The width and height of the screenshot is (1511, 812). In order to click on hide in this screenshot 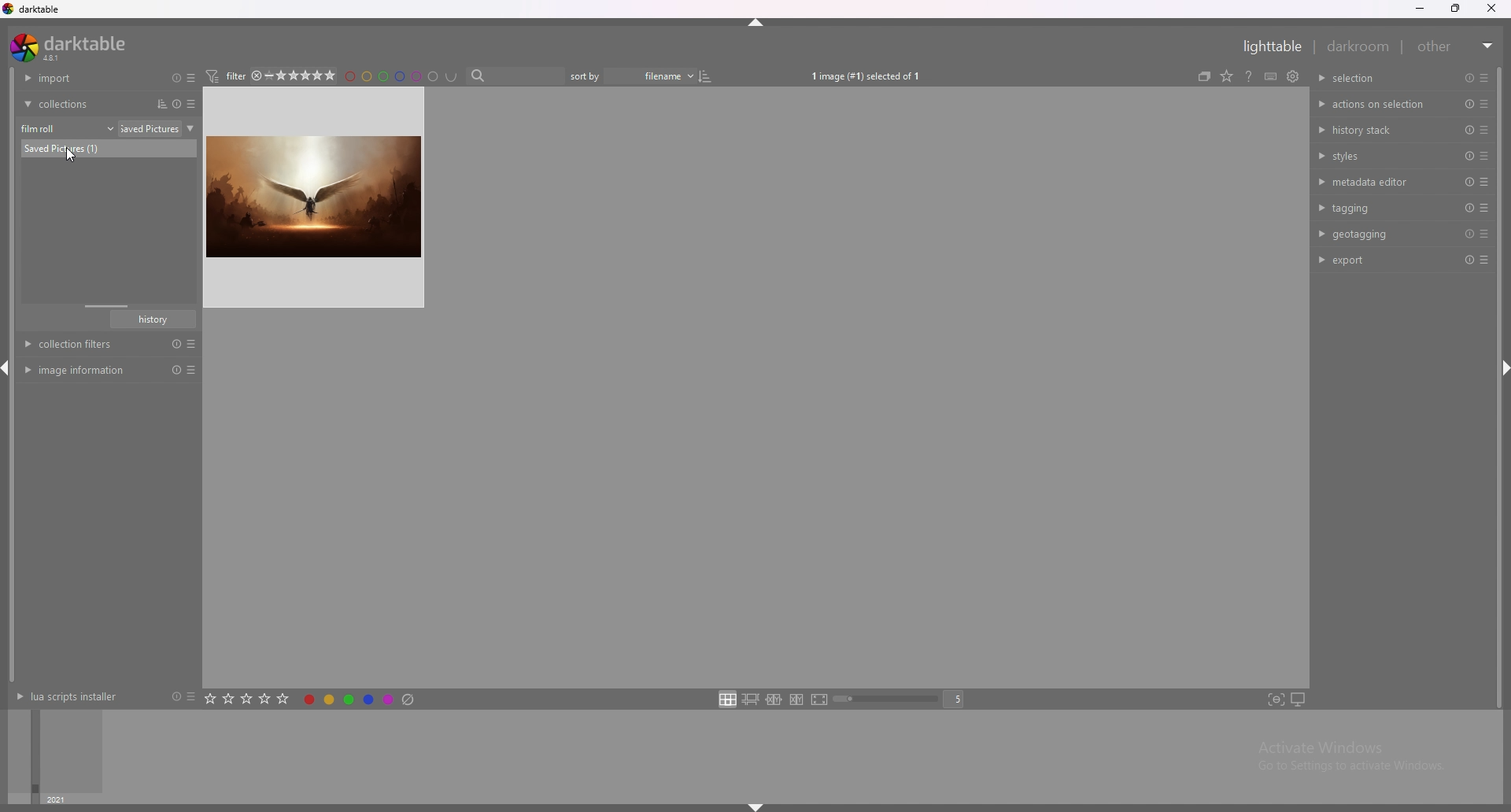, I will do `click(755, 25)`.